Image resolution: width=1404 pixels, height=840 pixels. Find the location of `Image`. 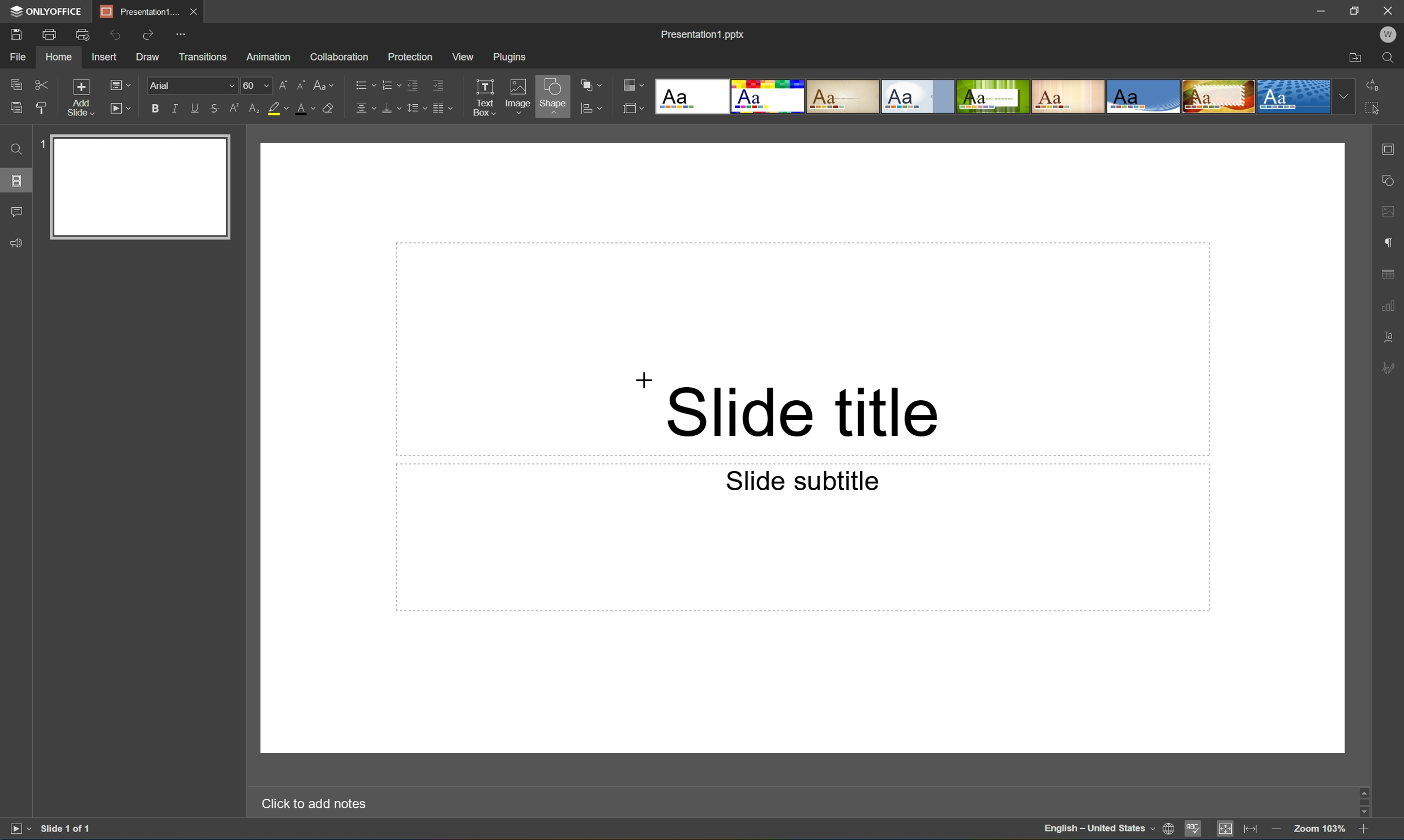

Image is located at coordinates (515, 94).